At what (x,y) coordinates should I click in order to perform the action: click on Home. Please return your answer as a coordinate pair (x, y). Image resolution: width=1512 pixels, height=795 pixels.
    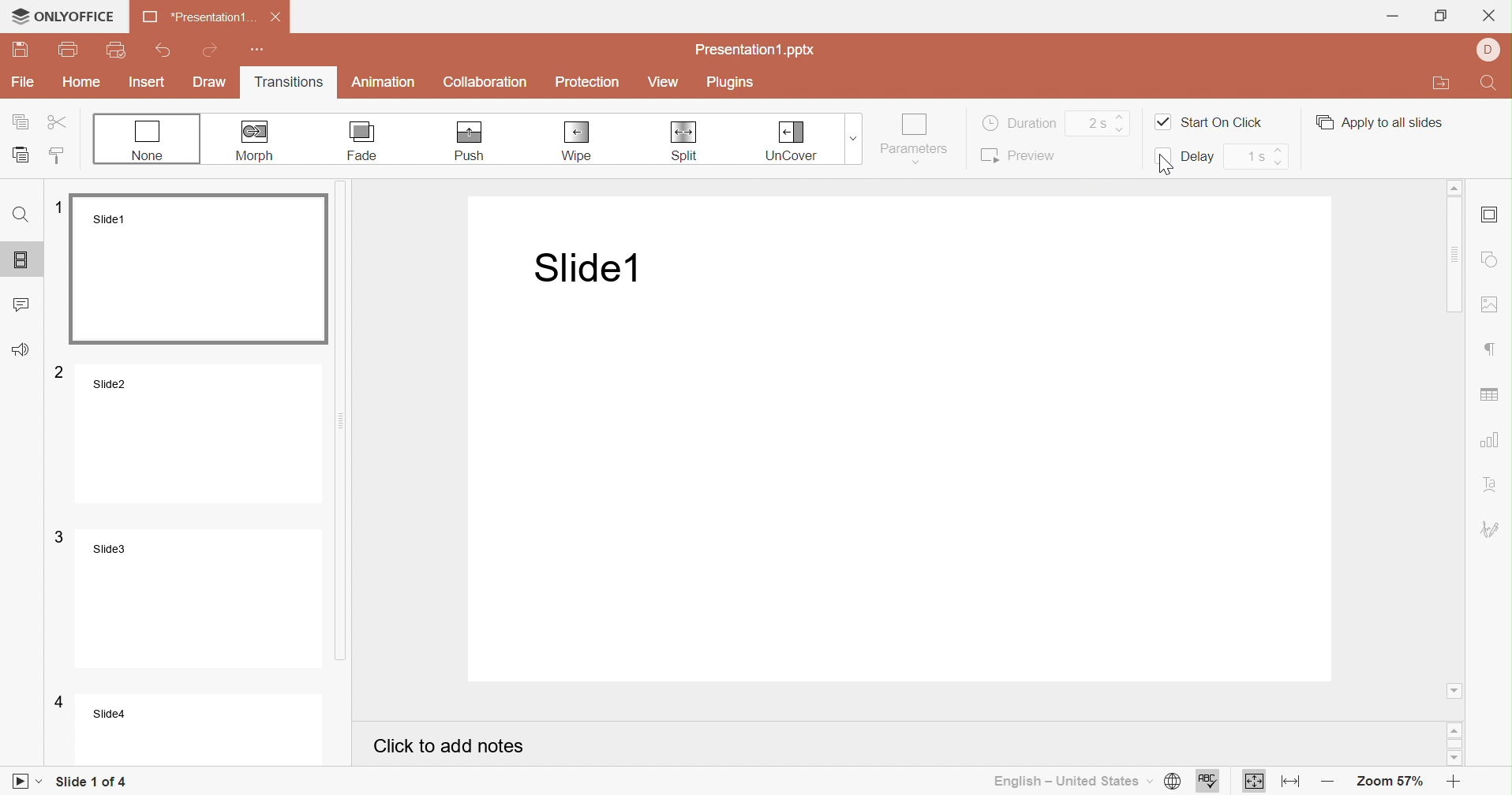
    Looking at the image, I should click on (81, 81).